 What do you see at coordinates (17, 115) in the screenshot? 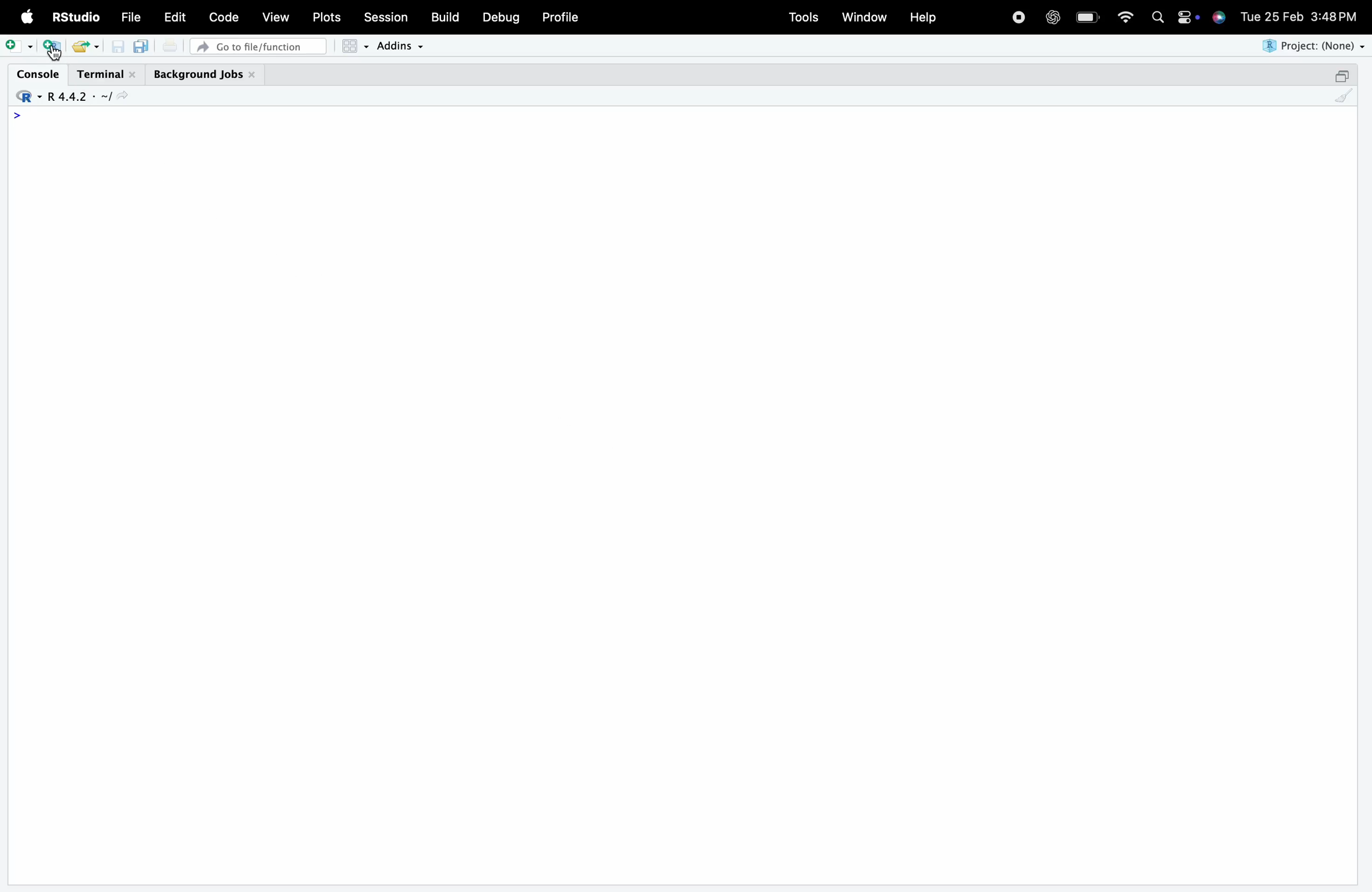
I see `>` at bounding box center [17, 115].